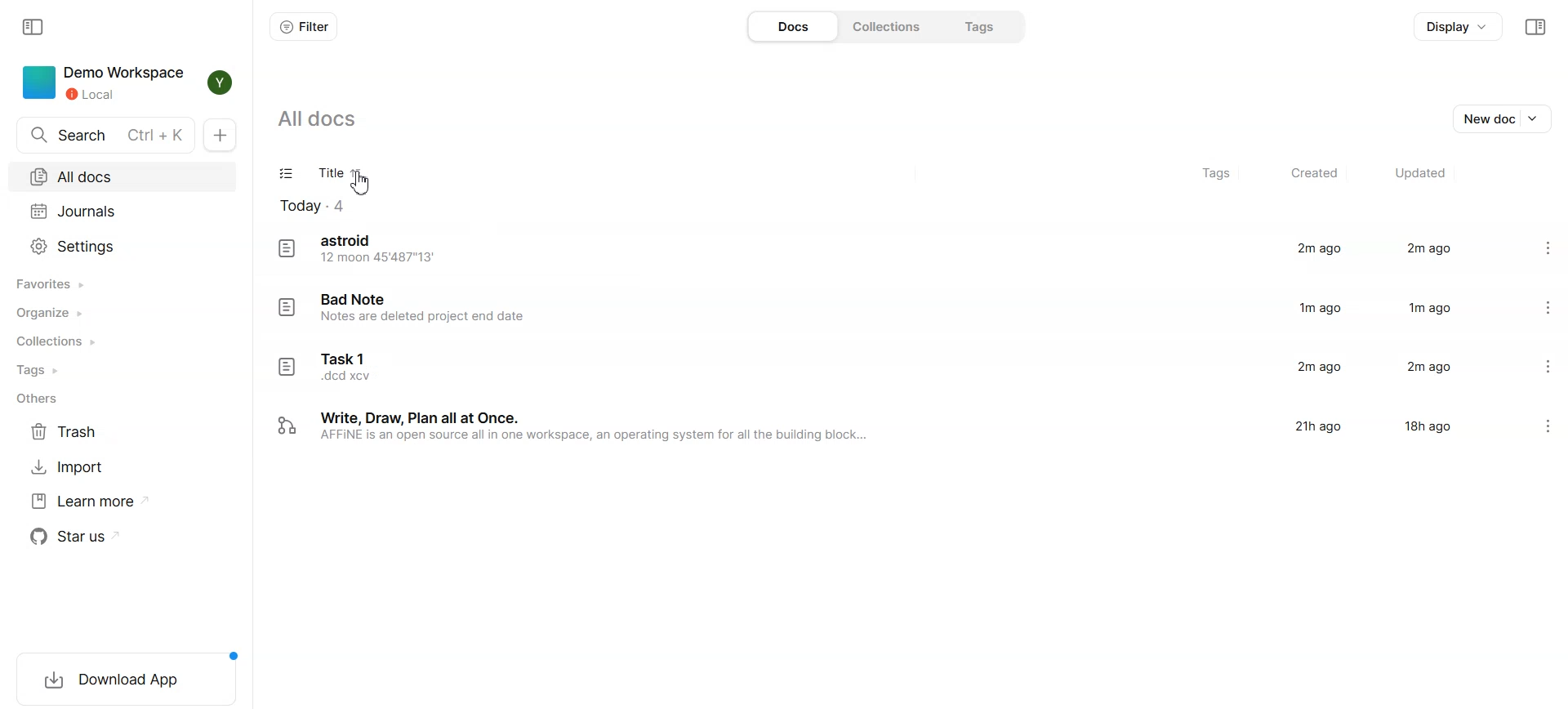  Describe the element at coordinates (1539, 118) in the screenshot. I see `Dropdown` at that location.